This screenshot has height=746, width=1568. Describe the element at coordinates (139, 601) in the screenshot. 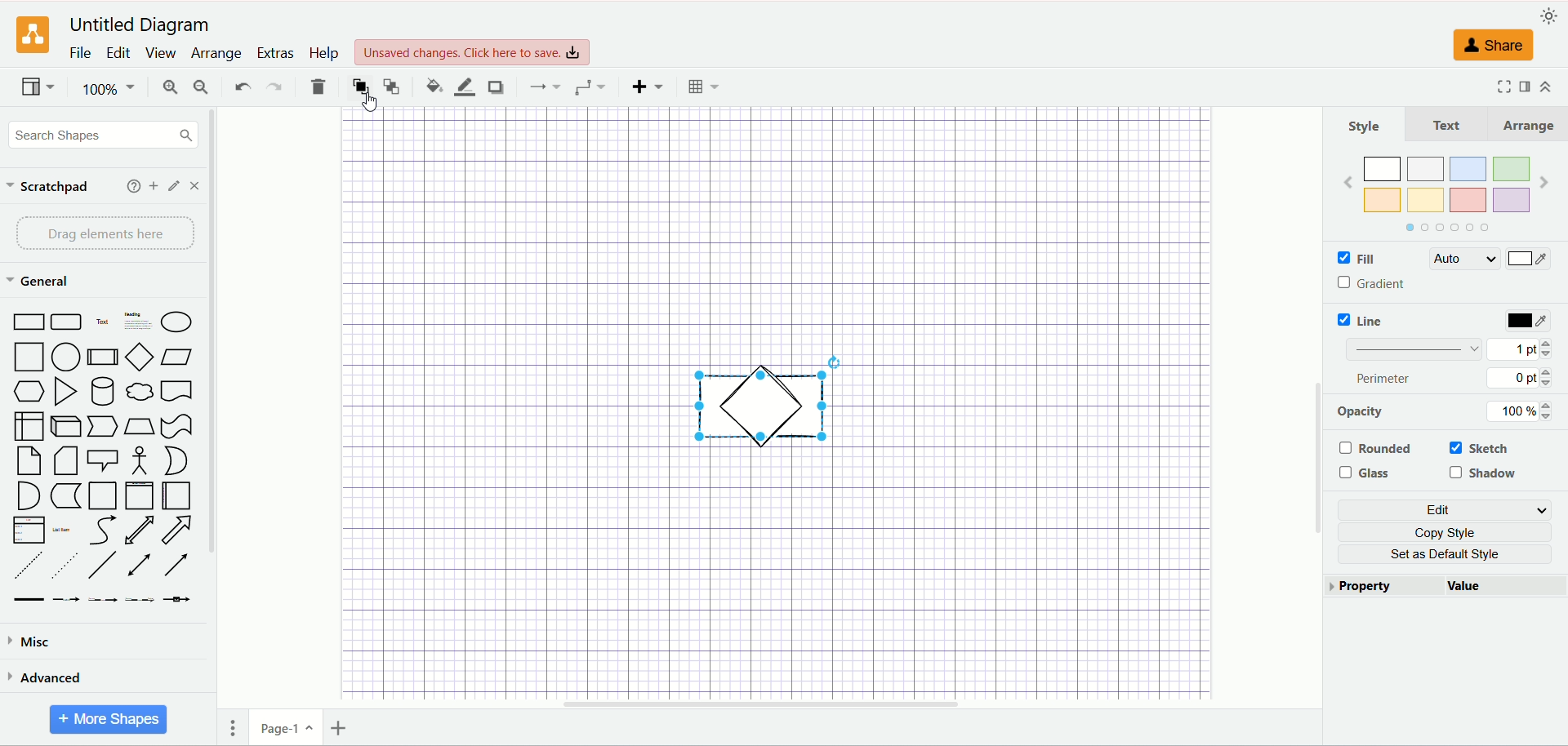

I see `Connector with 3 label` at that location.